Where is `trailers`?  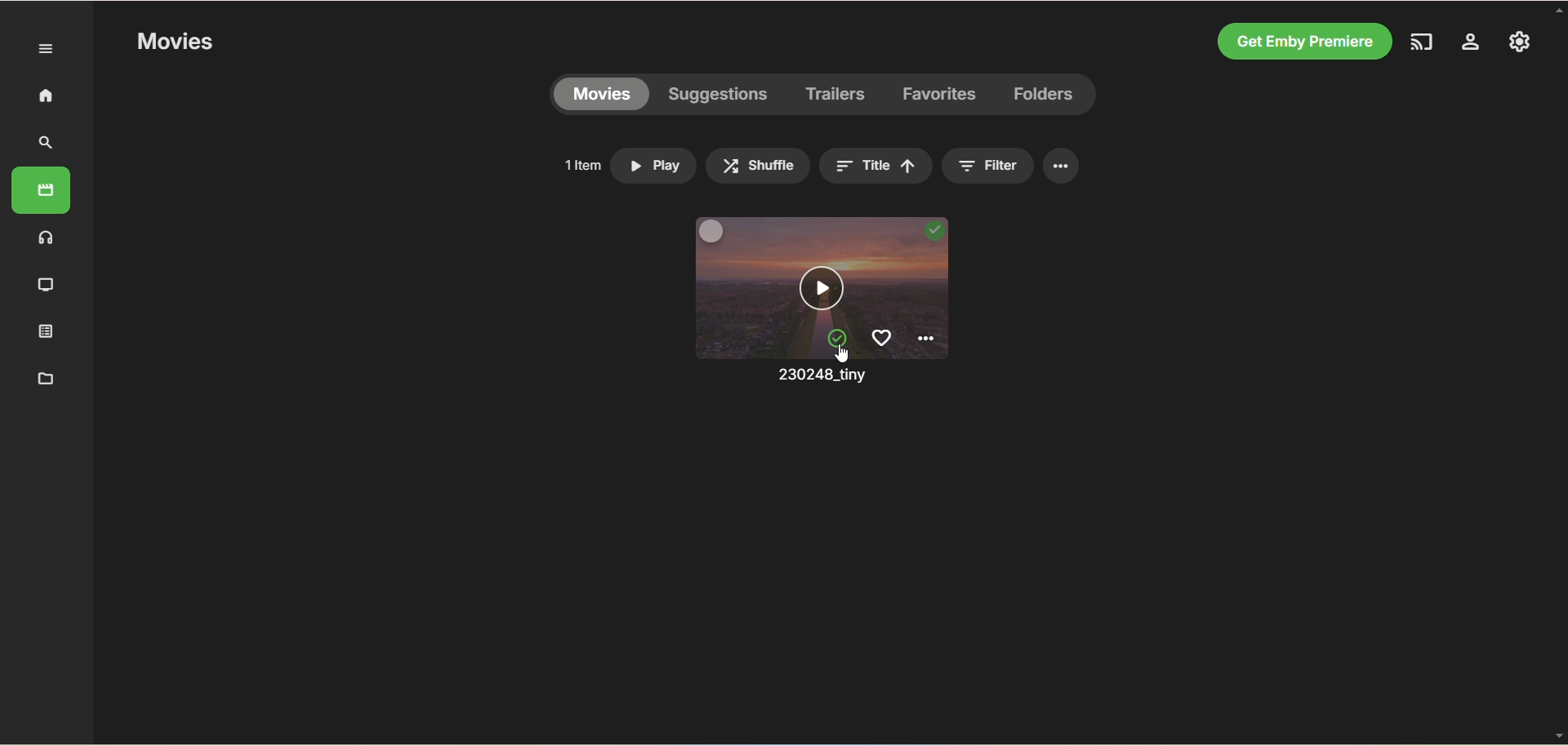 trailers is located at coordinates (836, 93).